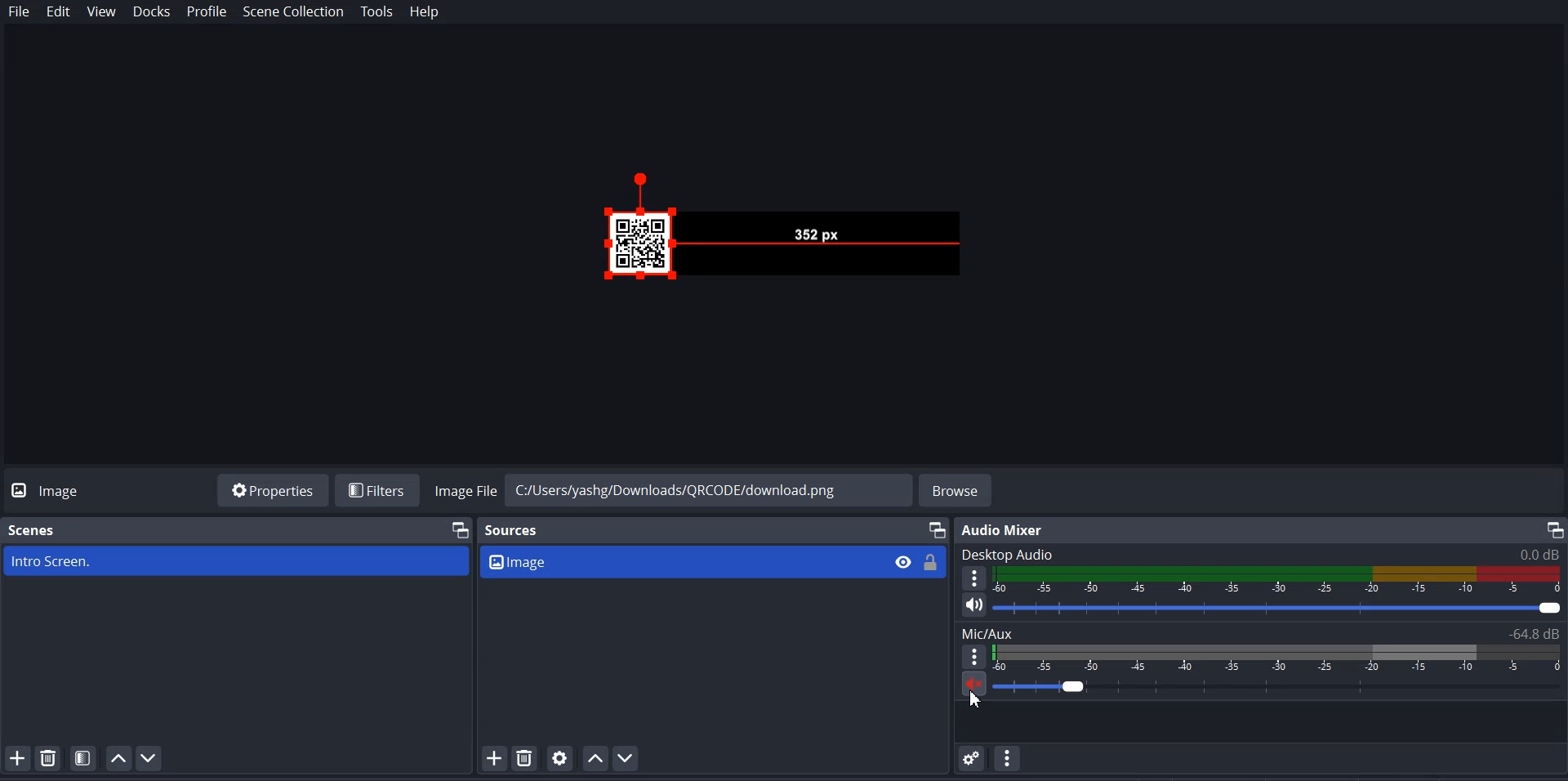  I want to click on Add Source, so click(494, 758).